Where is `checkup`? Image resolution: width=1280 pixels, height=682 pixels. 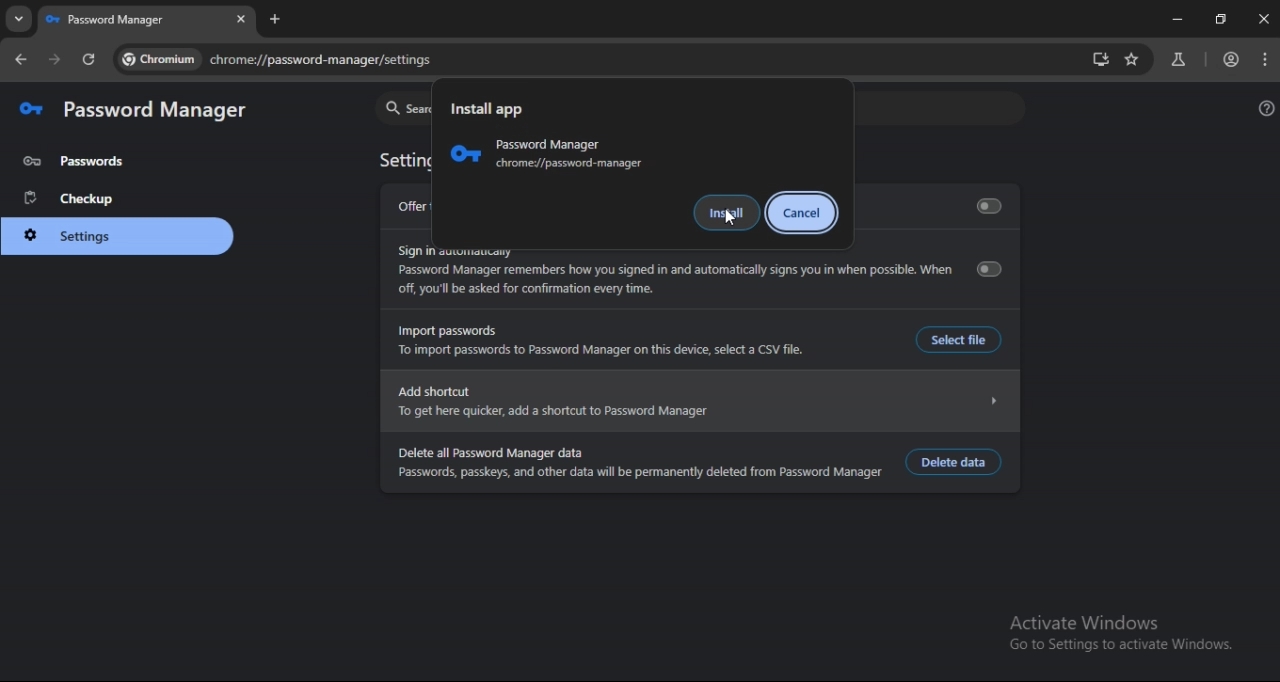 checkup is located at coordinates (72, 199).